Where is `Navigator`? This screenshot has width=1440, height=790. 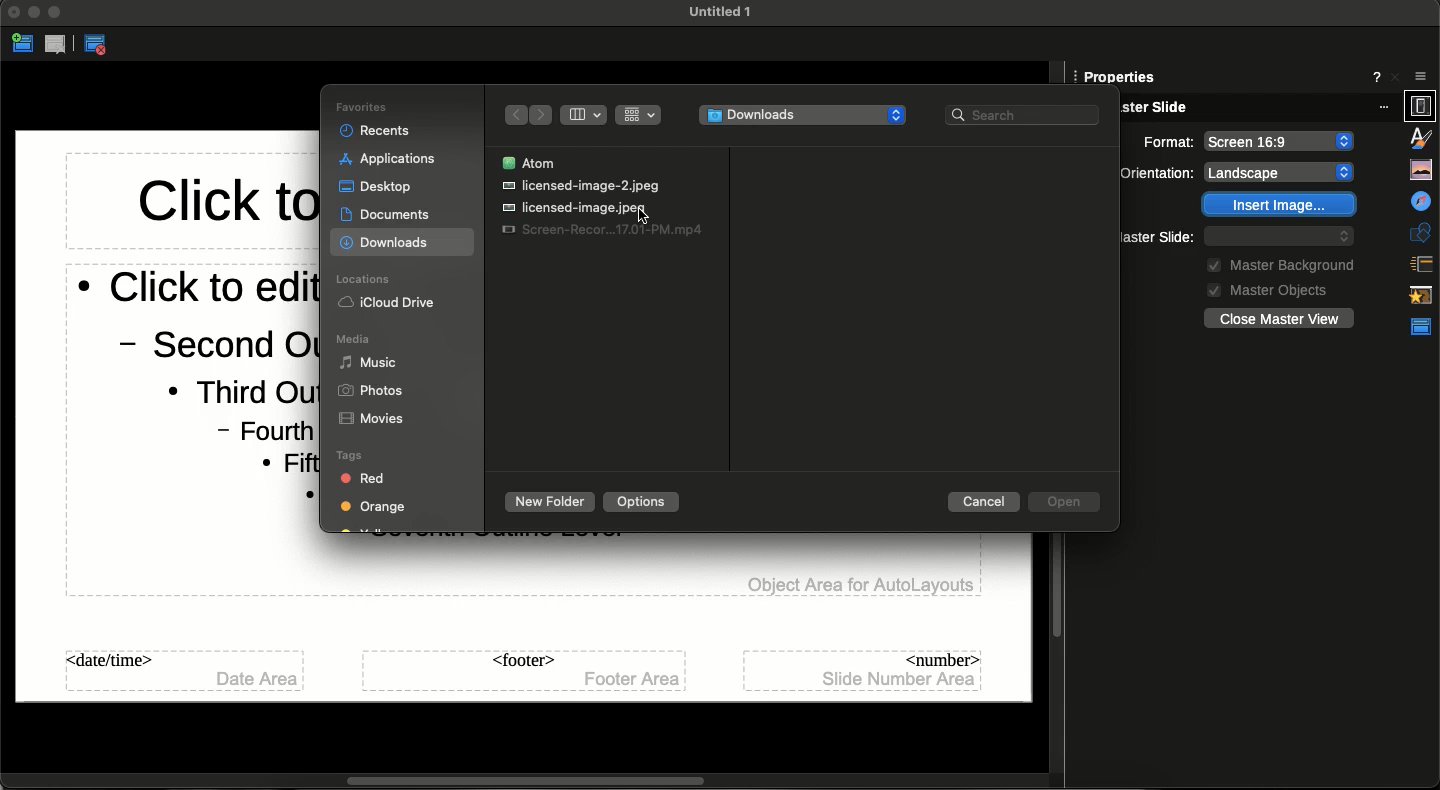 Navigator is located at coordinates (1420, 167).